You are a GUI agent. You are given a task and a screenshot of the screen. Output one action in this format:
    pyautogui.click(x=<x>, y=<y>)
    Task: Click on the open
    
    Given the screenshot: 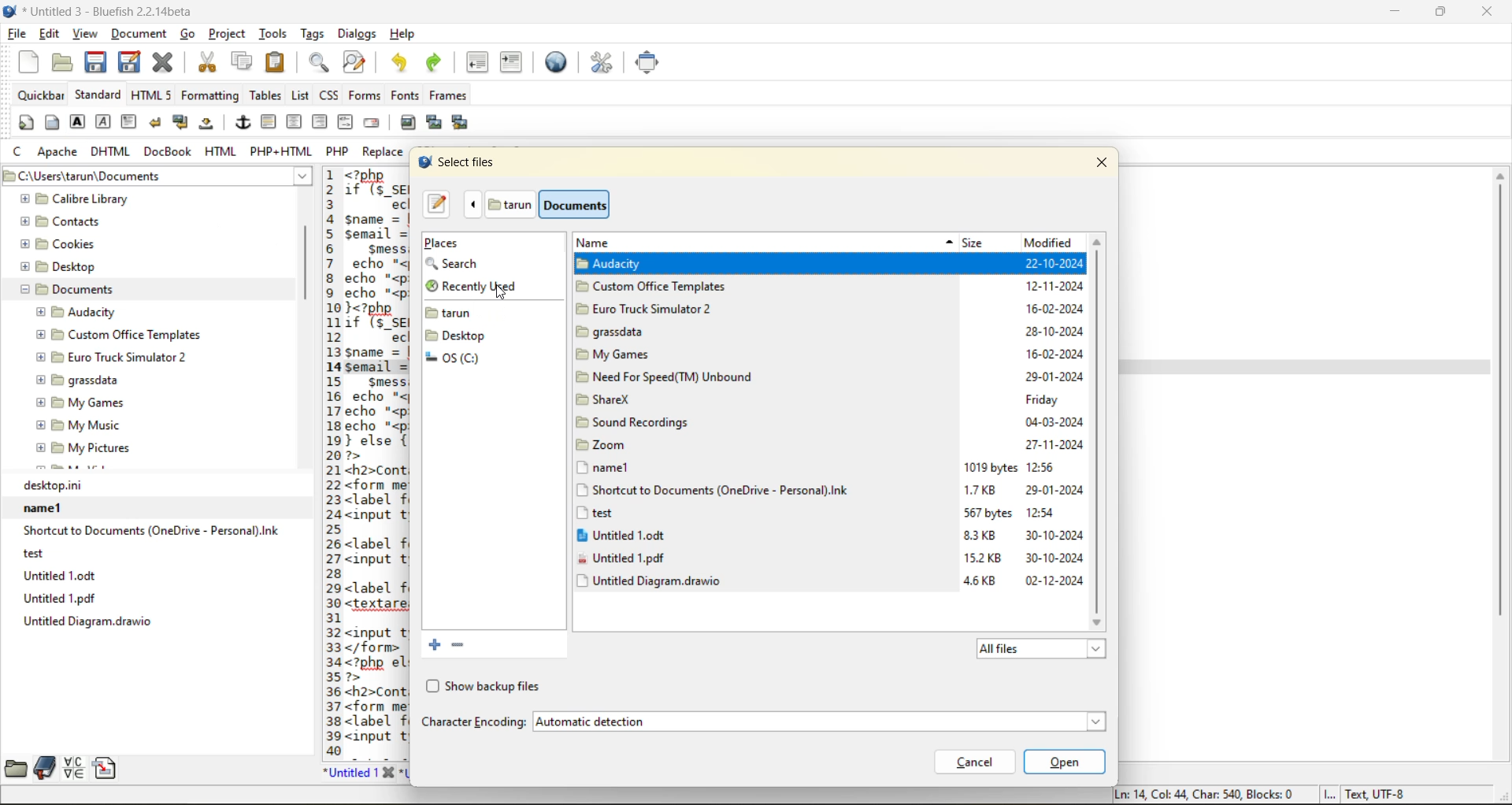 What is the action you would take?
    pyautogui.click(x=1064, y=762)
    